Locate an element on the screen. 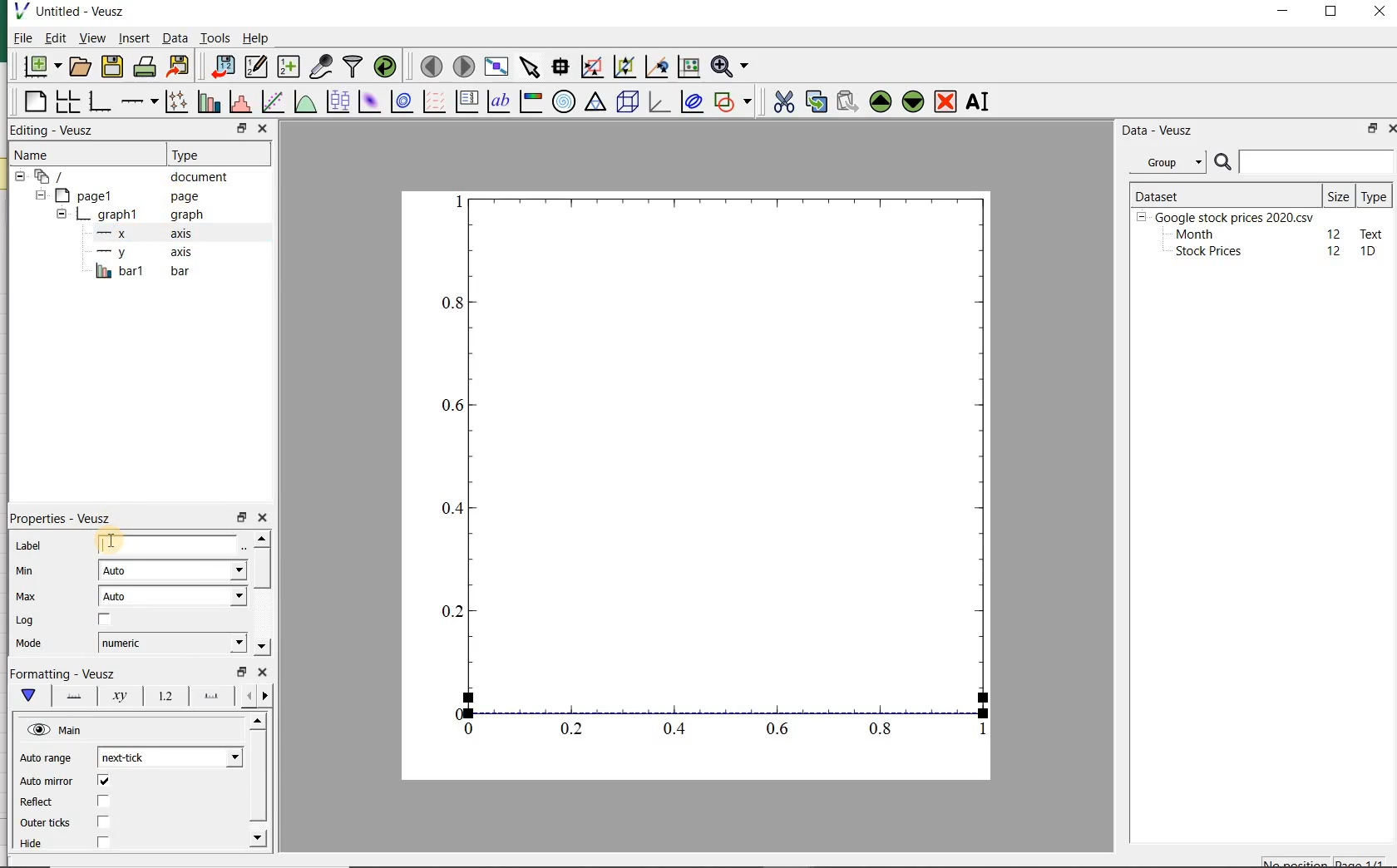 This screenshot has height=868, width=1397. plot points with lines and errorbars is located at coordinates (173, 103).